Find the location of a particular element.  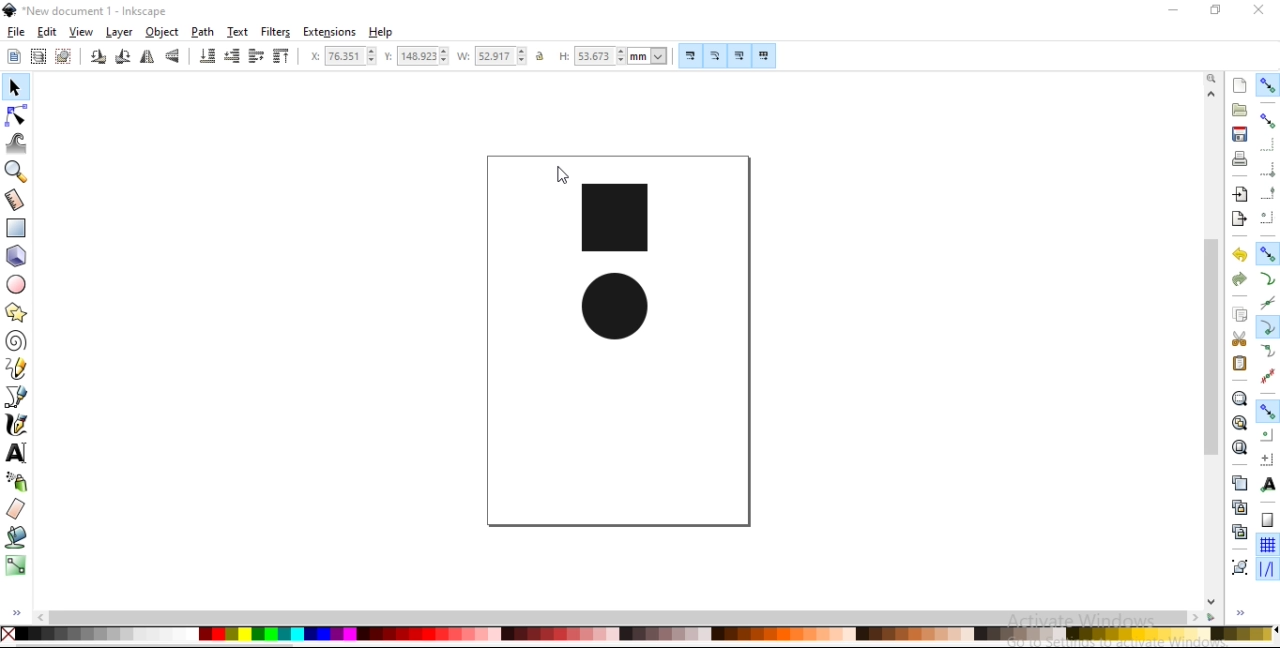

minimize is located at coordinates (1171, 9).